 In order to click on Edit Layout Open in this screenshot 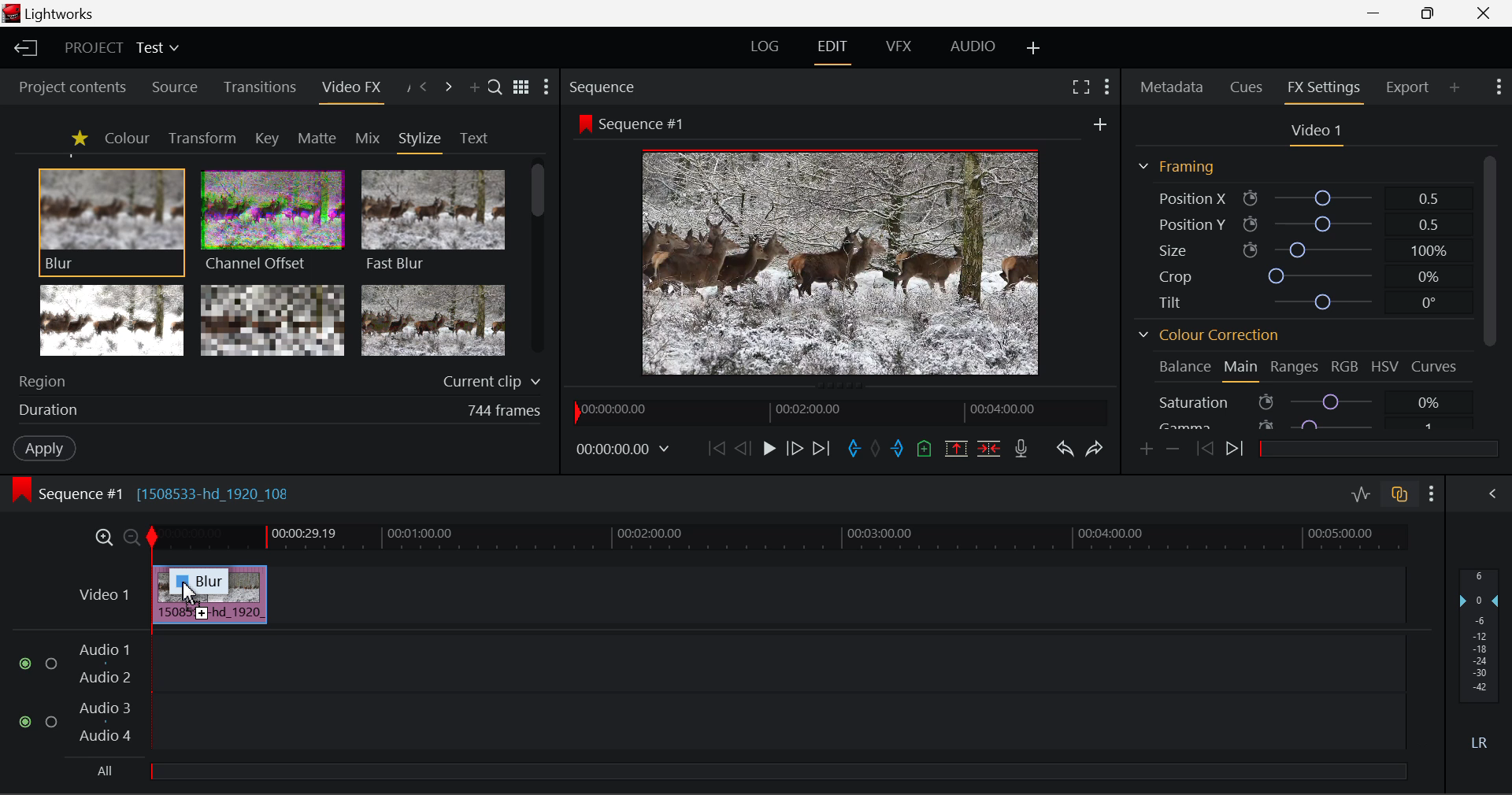, I will do `click(836, 49)`.